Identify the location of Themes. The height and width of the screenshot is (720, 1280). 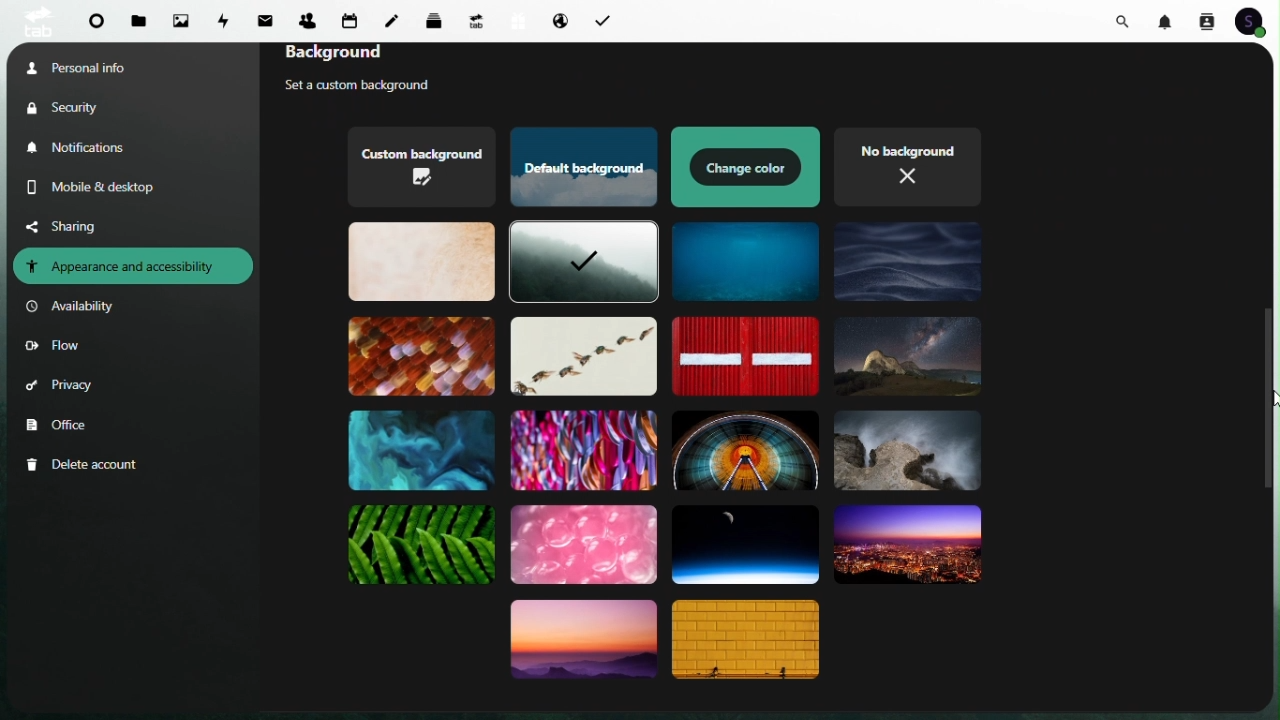
(745, 449).